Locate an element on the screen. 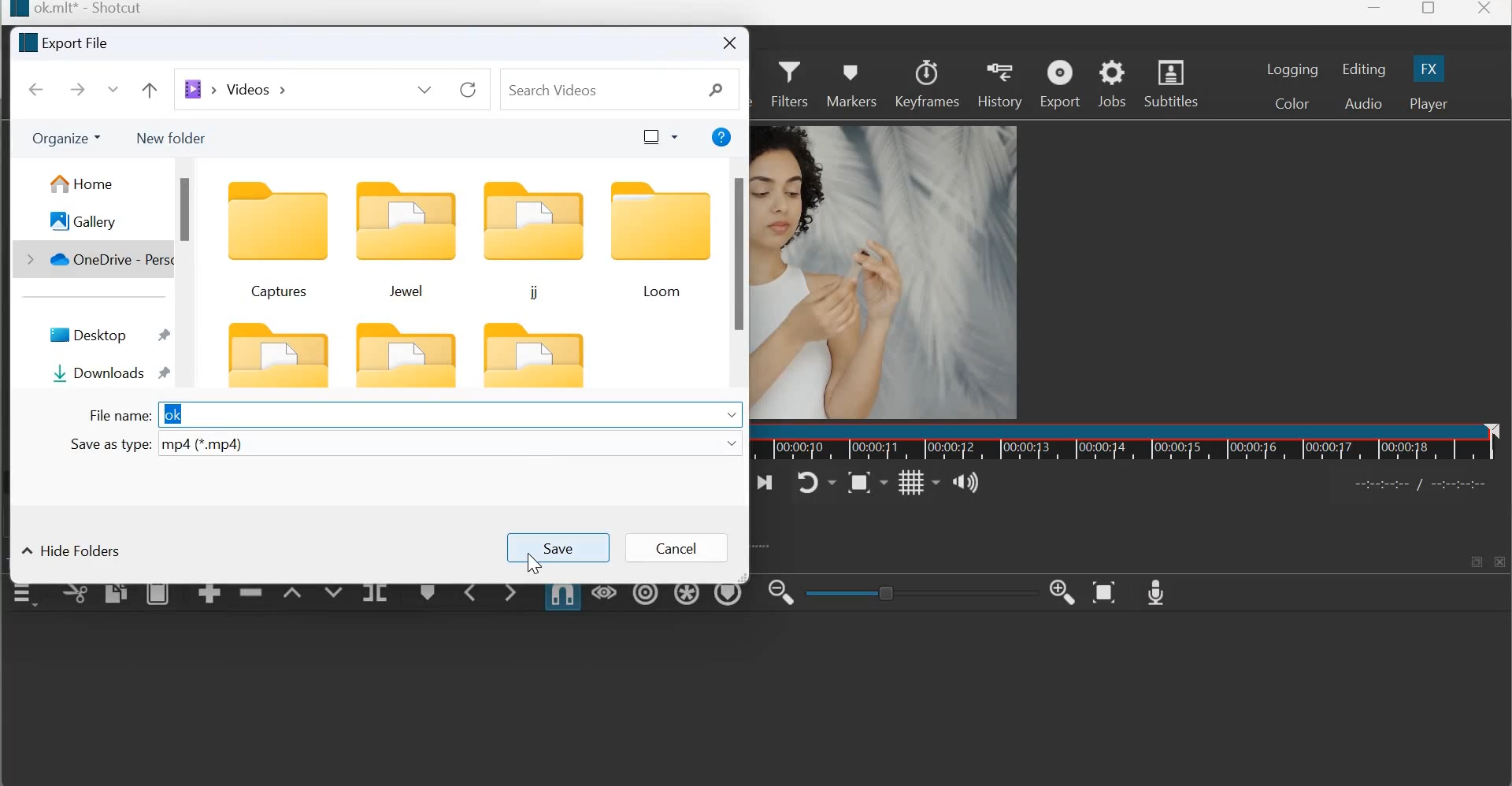  toggle is located at coordinates (913, 591).